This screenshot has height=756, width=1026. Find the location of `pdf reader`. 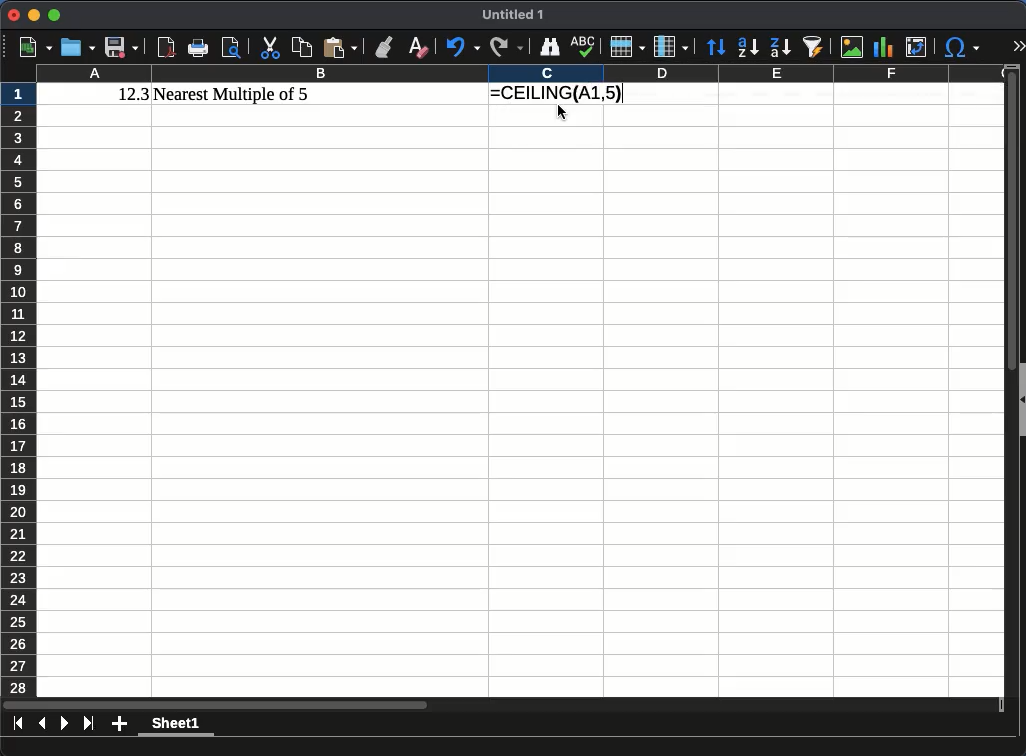

pdf reader is located at coordinates (167, 48).